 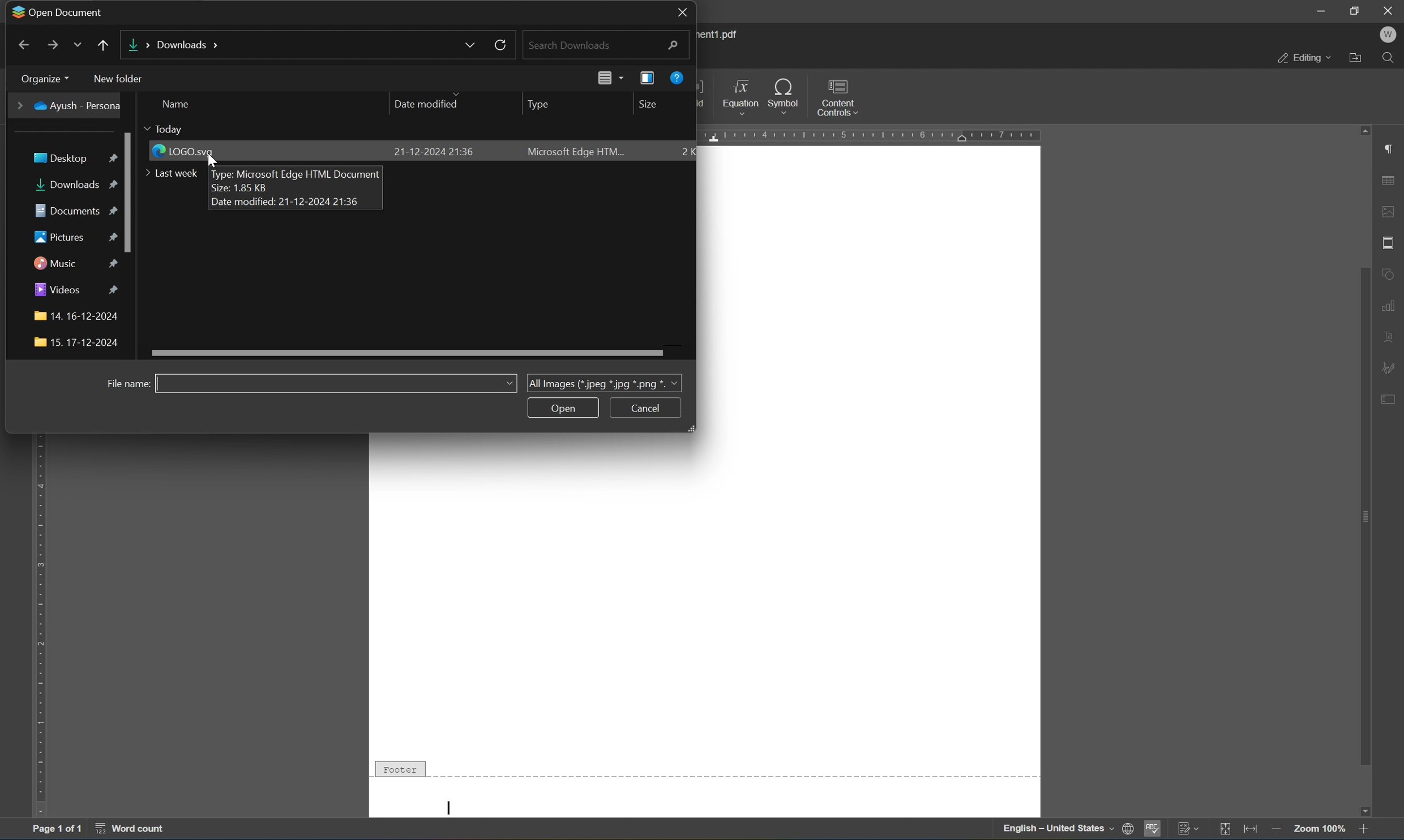 What do you see at coordinates (501, 44) in the screenshot?
I see `reload` at bounding box center [501, 44].